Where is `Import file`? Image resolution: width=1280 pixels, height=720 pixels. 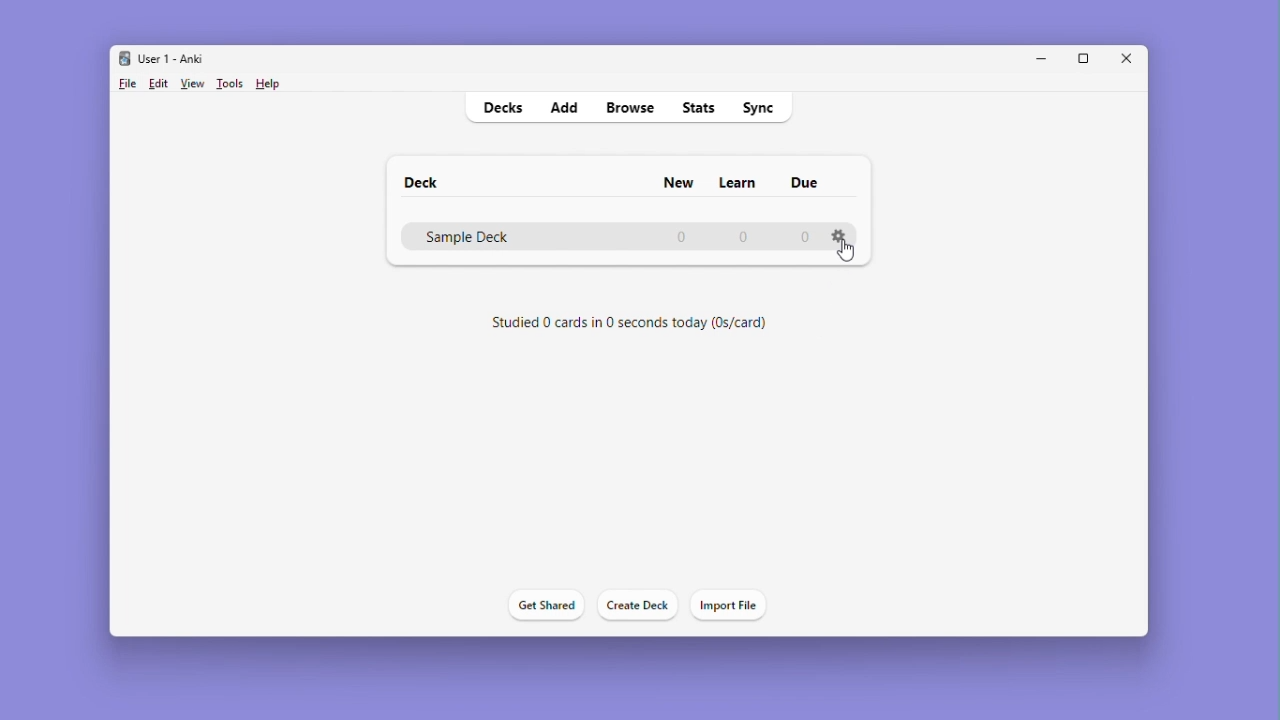
Import file is located at coordinates (731, 606).